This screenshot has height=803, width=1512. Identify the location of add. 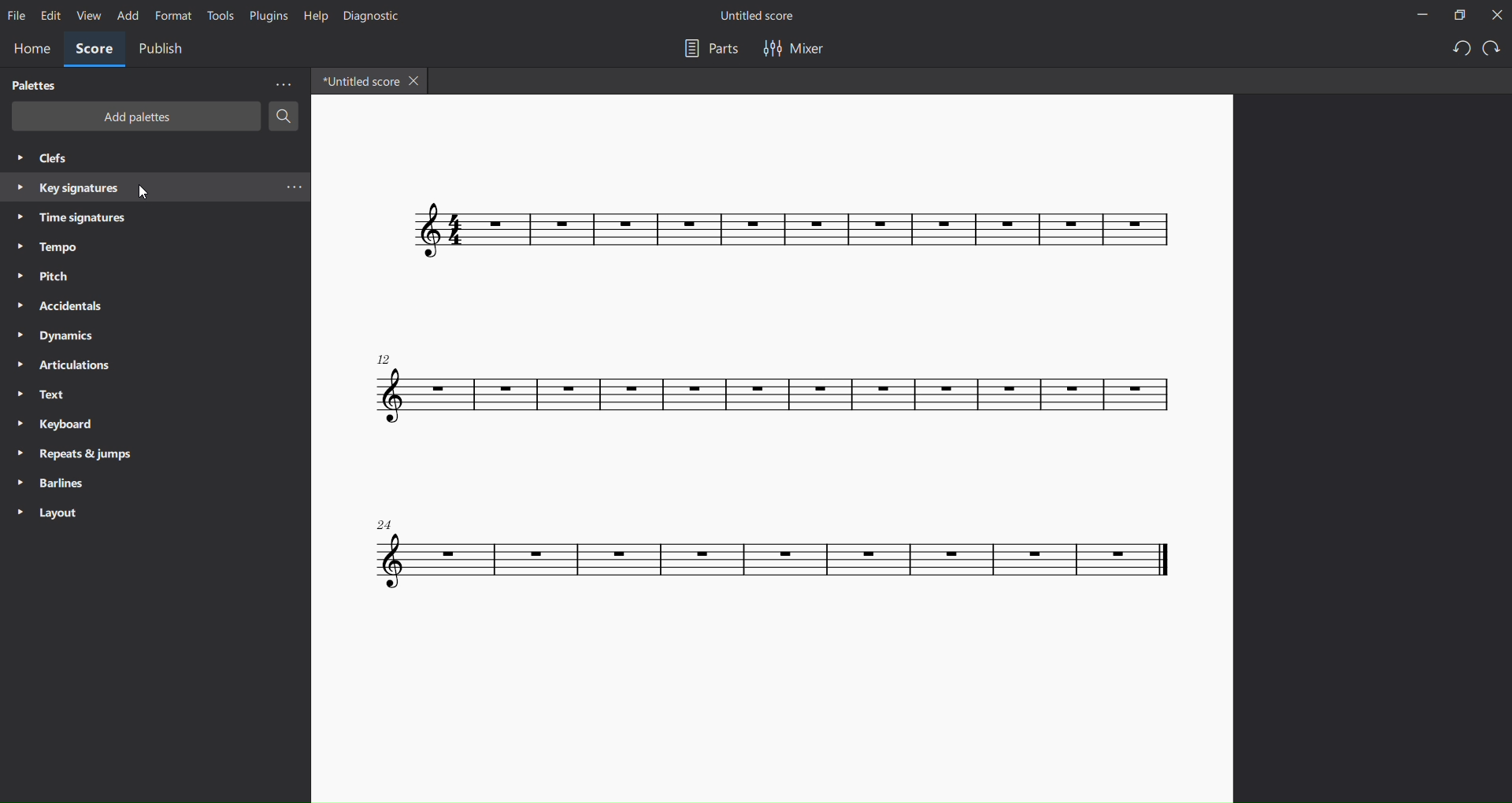
(127, 14).